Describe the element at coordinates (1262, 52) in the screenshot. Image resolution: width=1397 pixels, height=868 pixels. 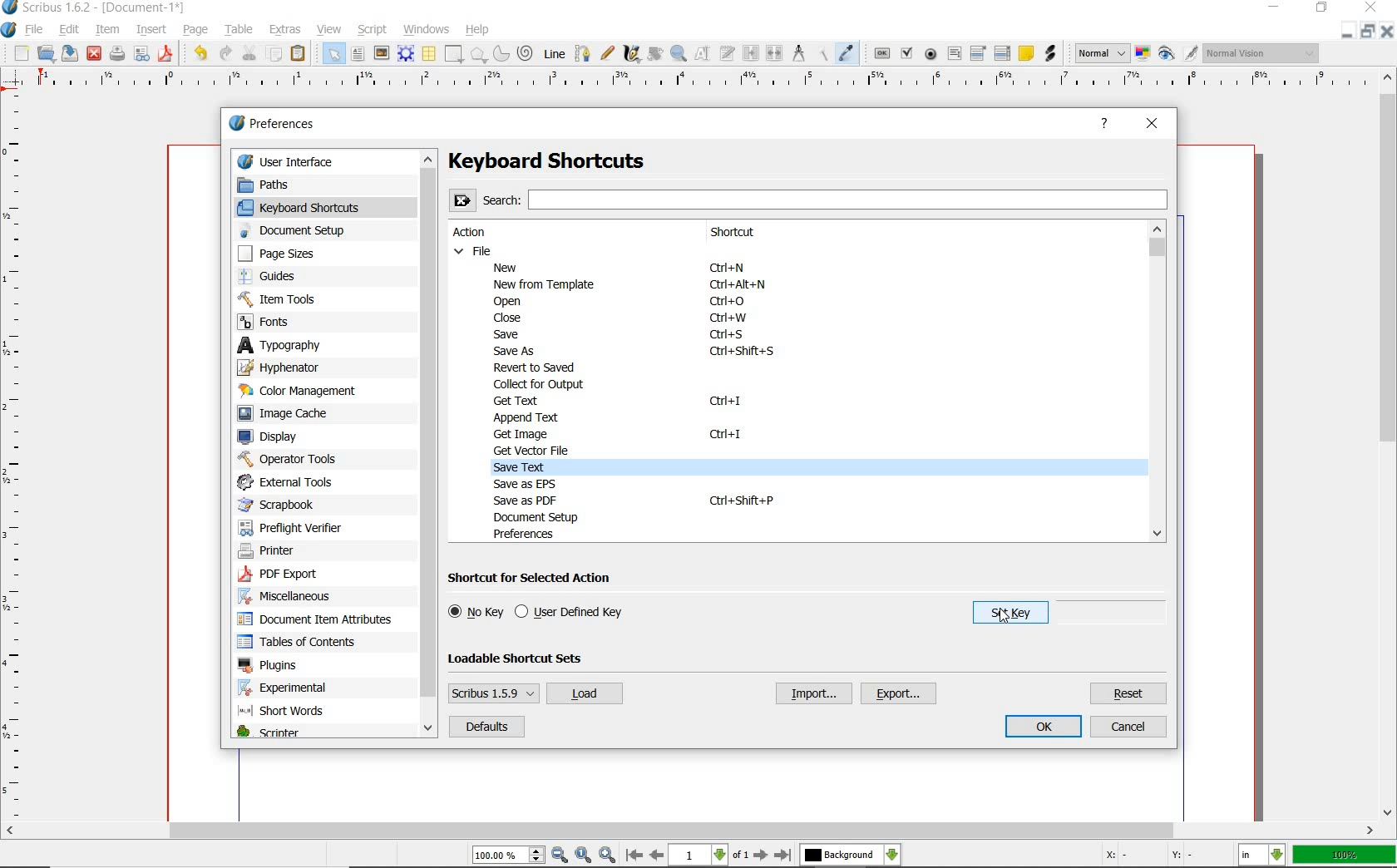
I see `visual appearance of the display` at that location.